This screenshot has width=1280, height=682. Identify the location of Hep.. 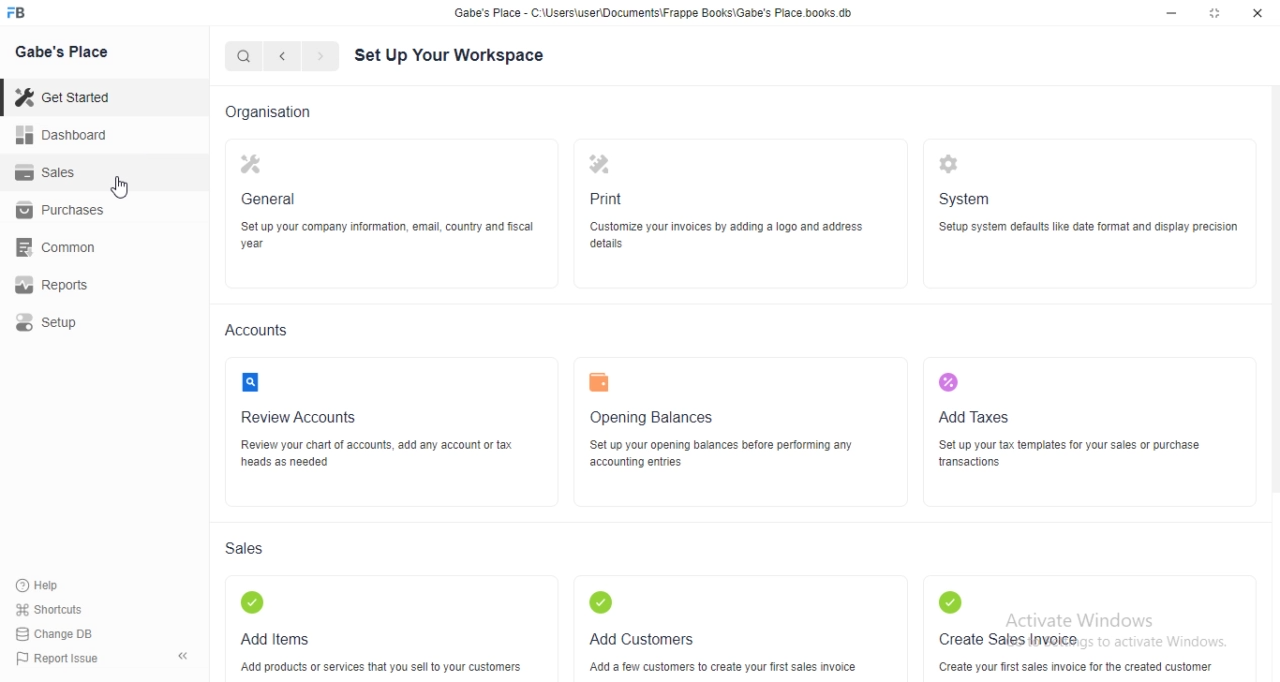
(49, 586).